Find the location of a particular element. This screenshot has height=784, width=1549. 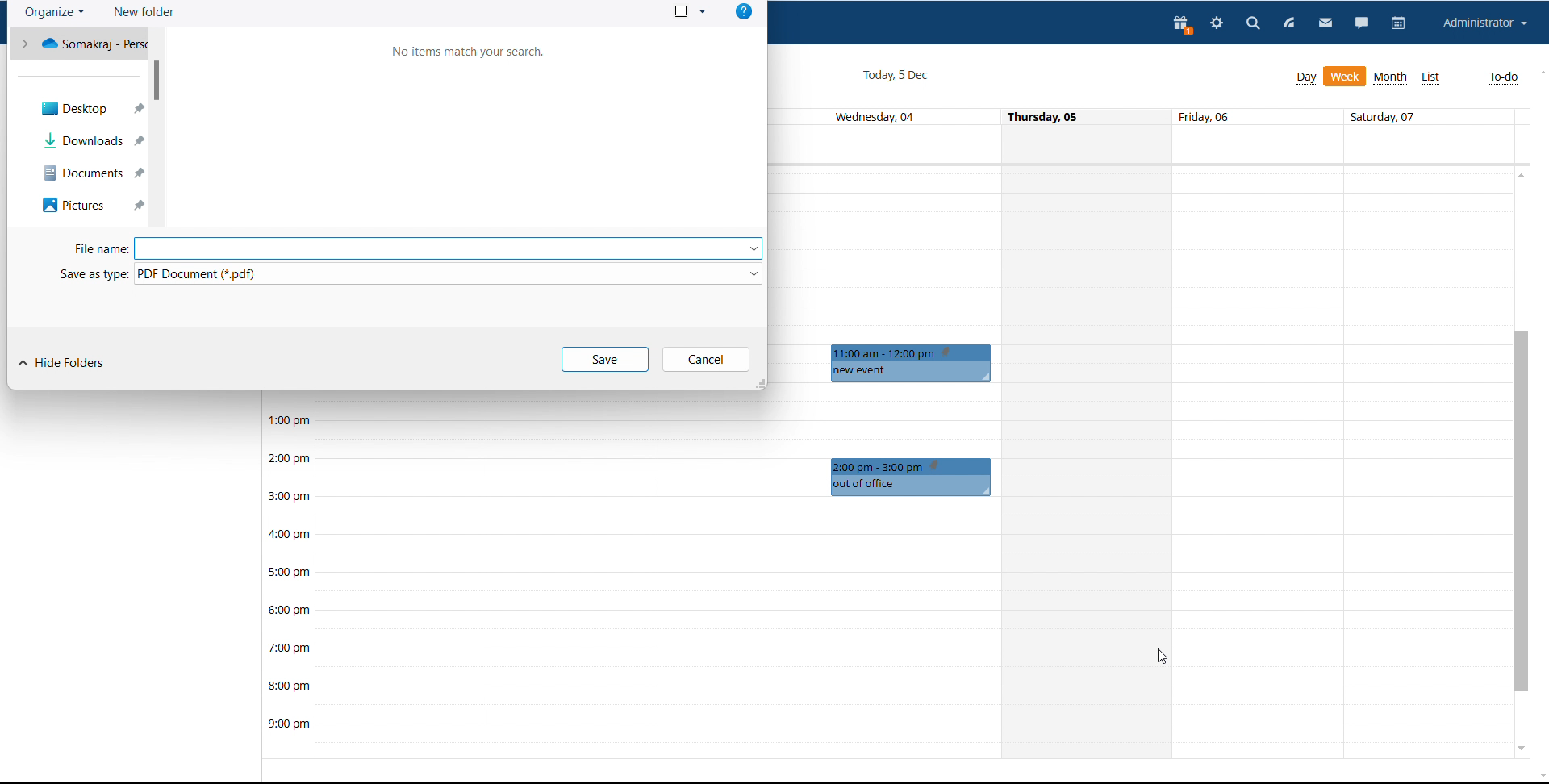

quick access folders is located at coordinates (78, 43).